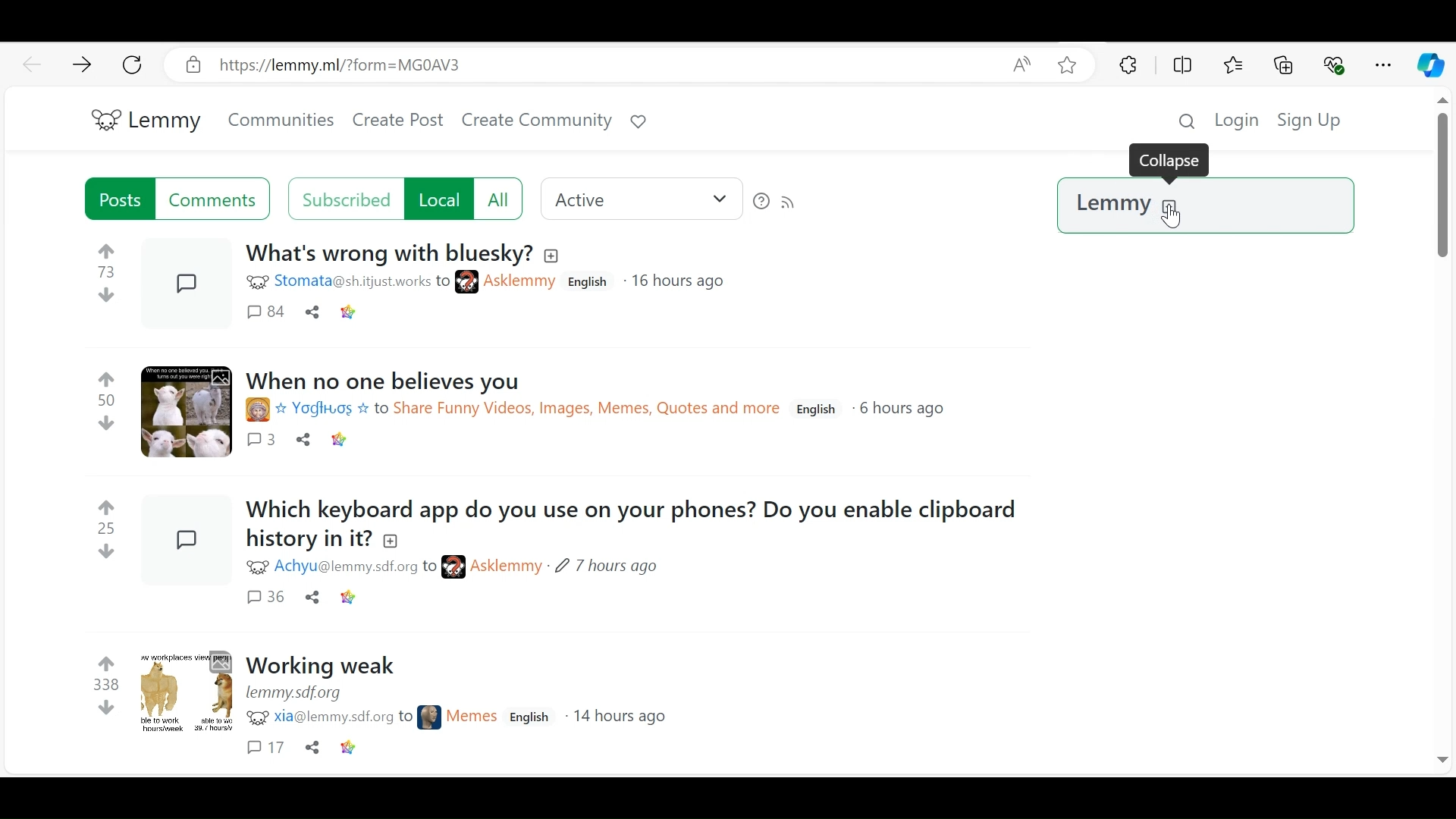  I want to click on links, so click(347, 747).